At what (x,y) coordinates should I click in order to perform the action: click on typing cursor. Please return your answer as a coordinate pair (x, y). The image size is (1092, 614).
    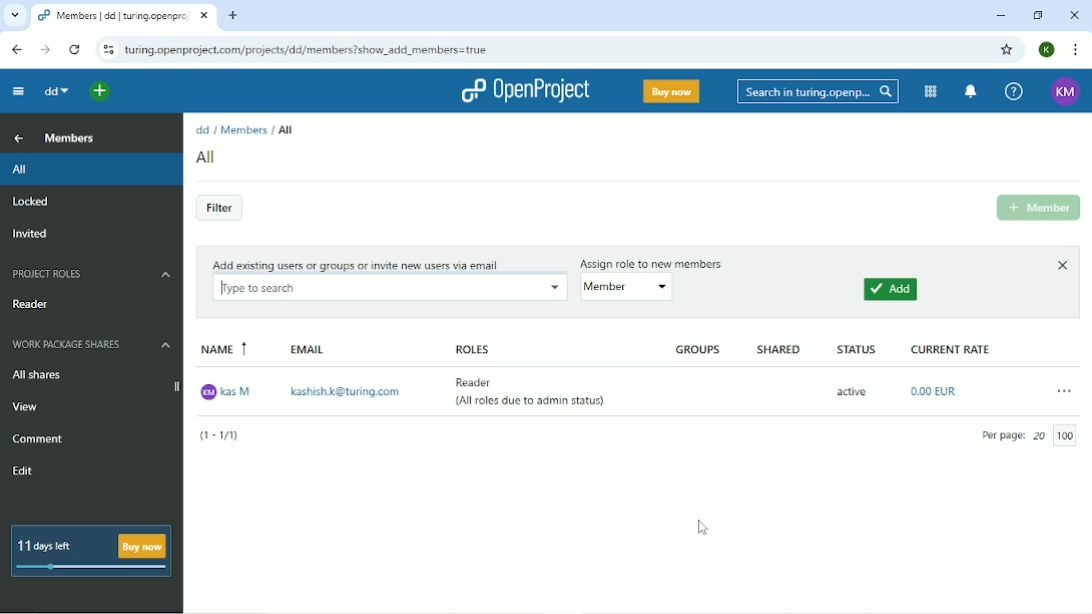
    Looking at the image, I should click on (225, 286).